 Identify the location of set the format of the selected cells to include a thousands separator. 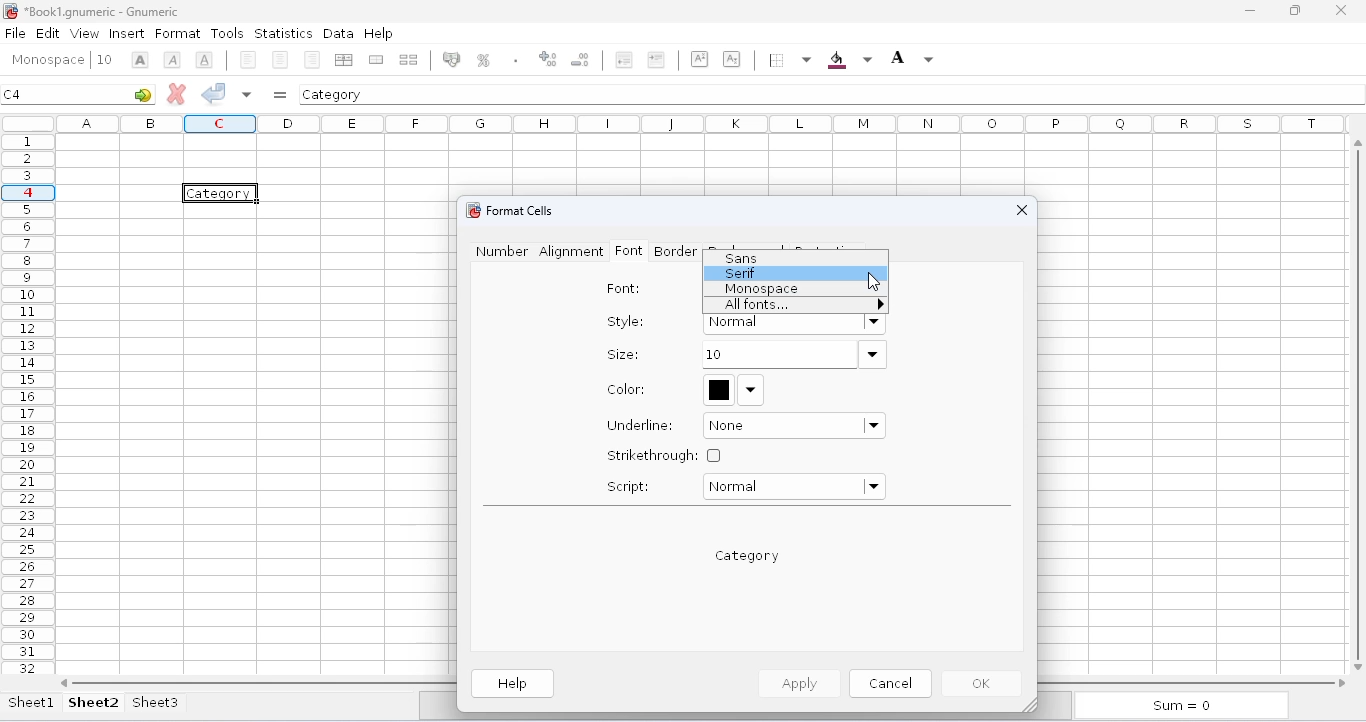
(515, 60).